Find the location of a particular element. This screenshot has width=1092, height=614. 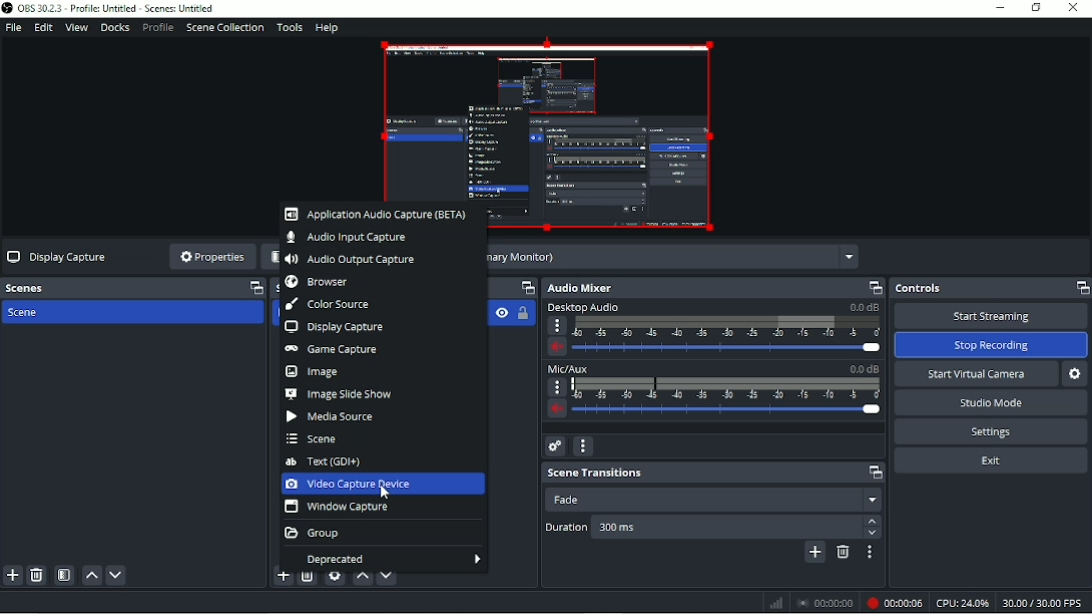

Scene is located at coordinates (312, 439).